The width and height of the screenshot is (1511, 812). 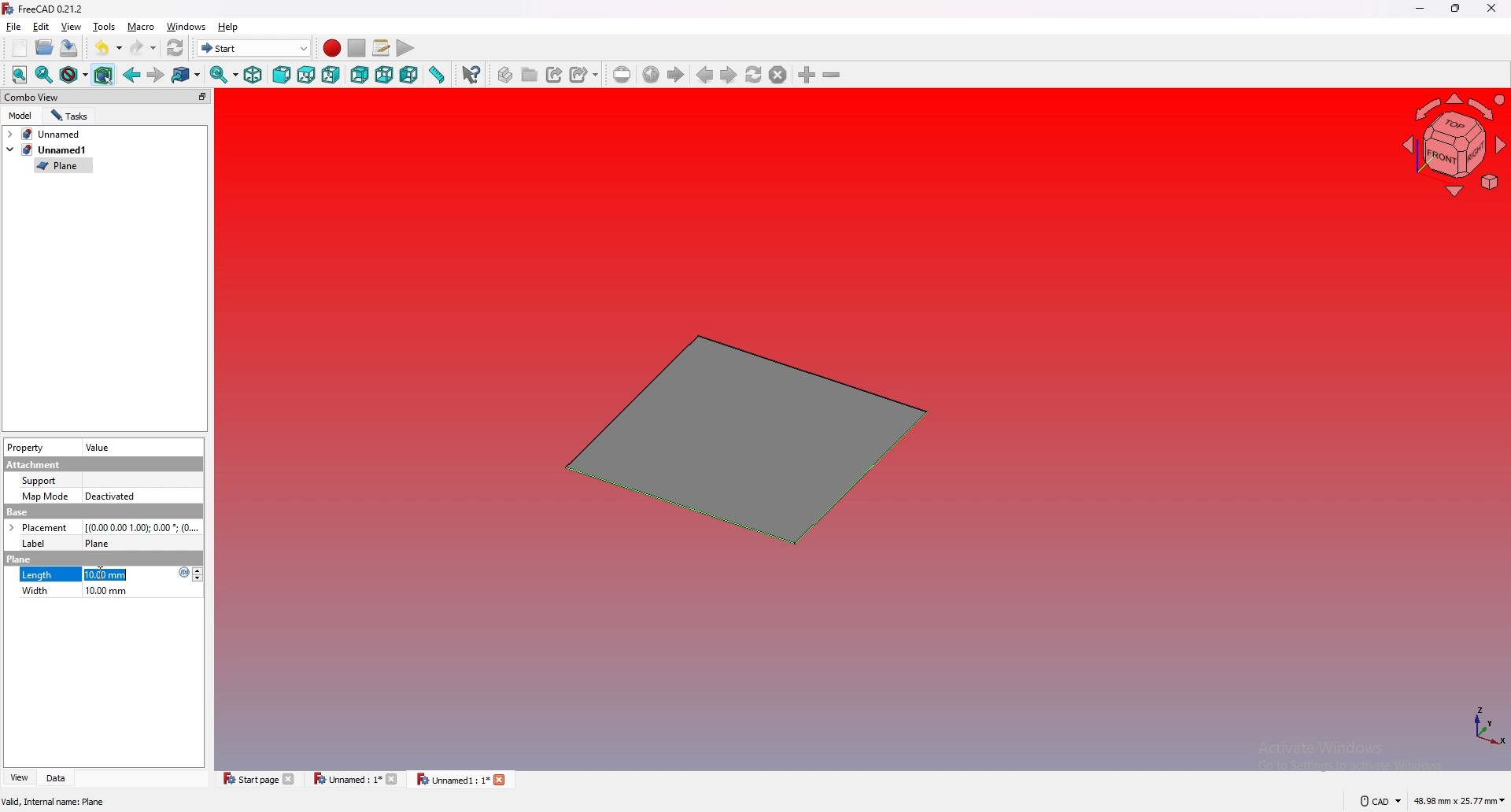 What do you see at coordinates (831, 74) in the screenshot?
I see `zoom out` at bounding box center [831, 74].